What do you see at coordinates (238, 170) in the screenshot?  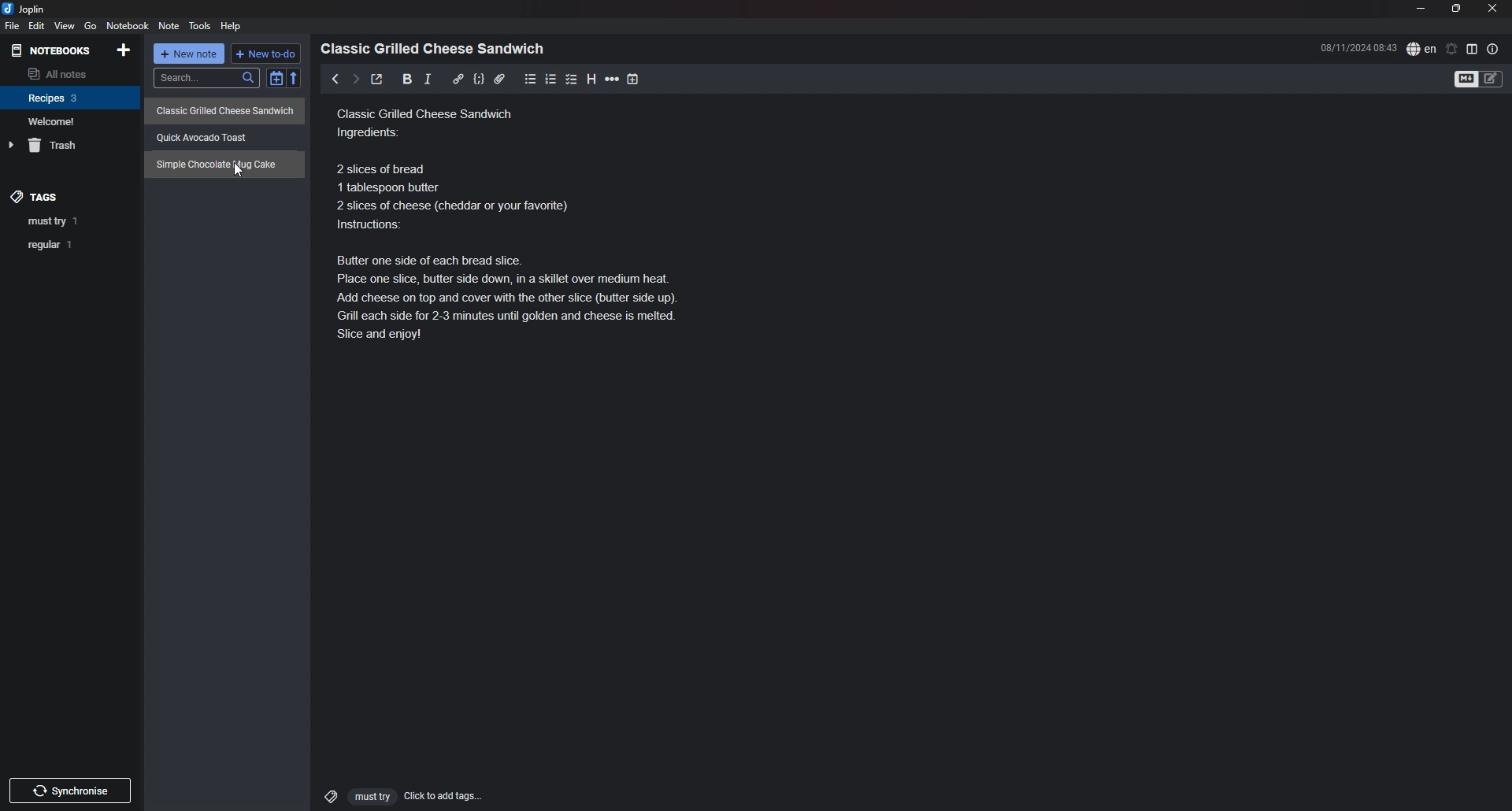 I see `cursor` at bounding box center [238, 170].